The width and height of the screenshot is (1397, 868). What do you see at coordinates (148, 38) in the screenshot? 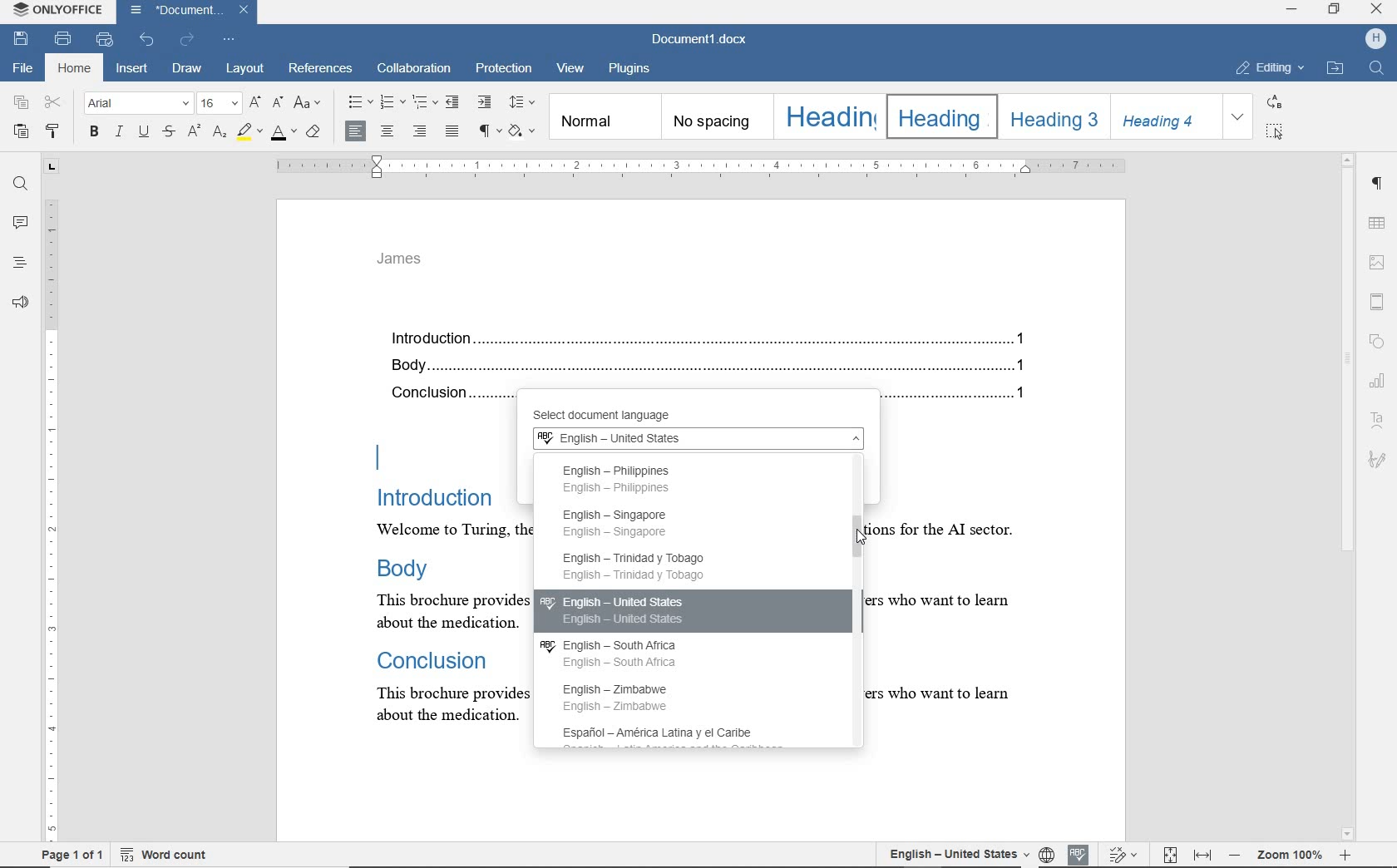
I see `undo` at bounding box center [148, 38].